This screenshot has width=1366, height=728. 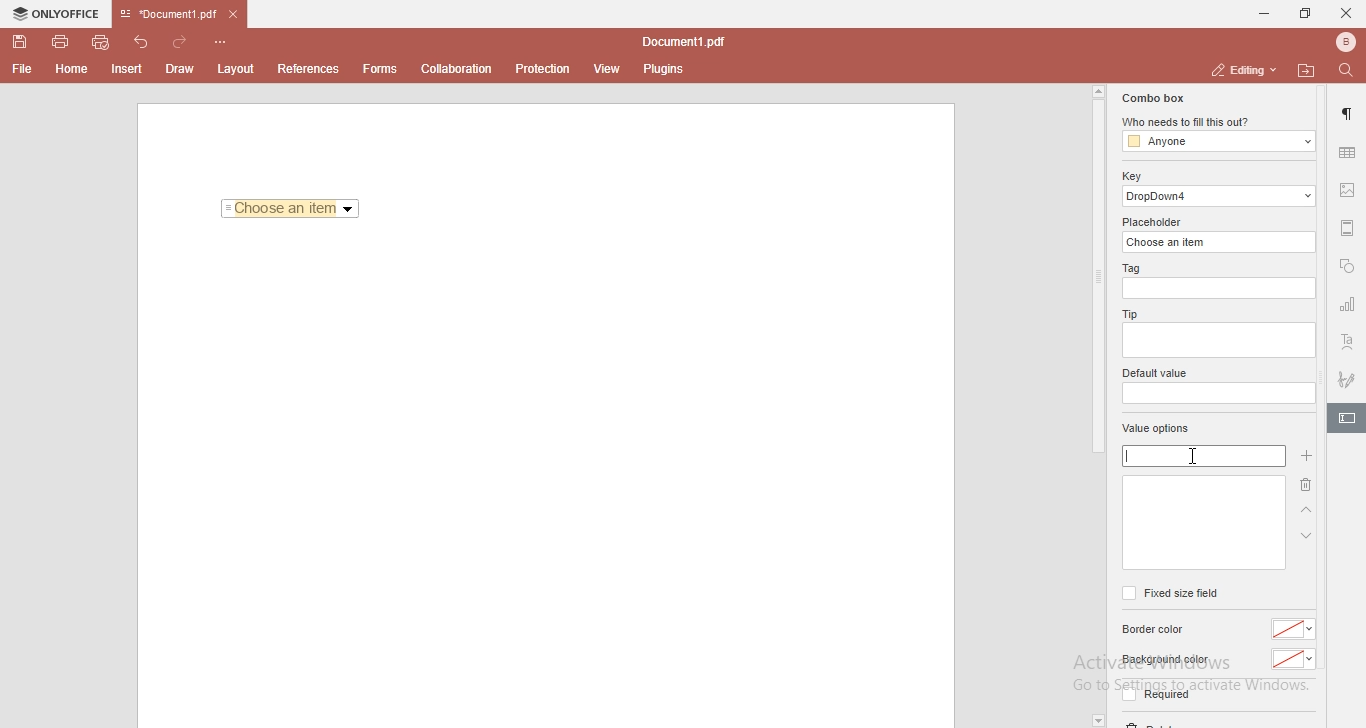 What do you see at coordinates (306, 69) in the screenshot?
I see `References` at bounding box center [306, 69].